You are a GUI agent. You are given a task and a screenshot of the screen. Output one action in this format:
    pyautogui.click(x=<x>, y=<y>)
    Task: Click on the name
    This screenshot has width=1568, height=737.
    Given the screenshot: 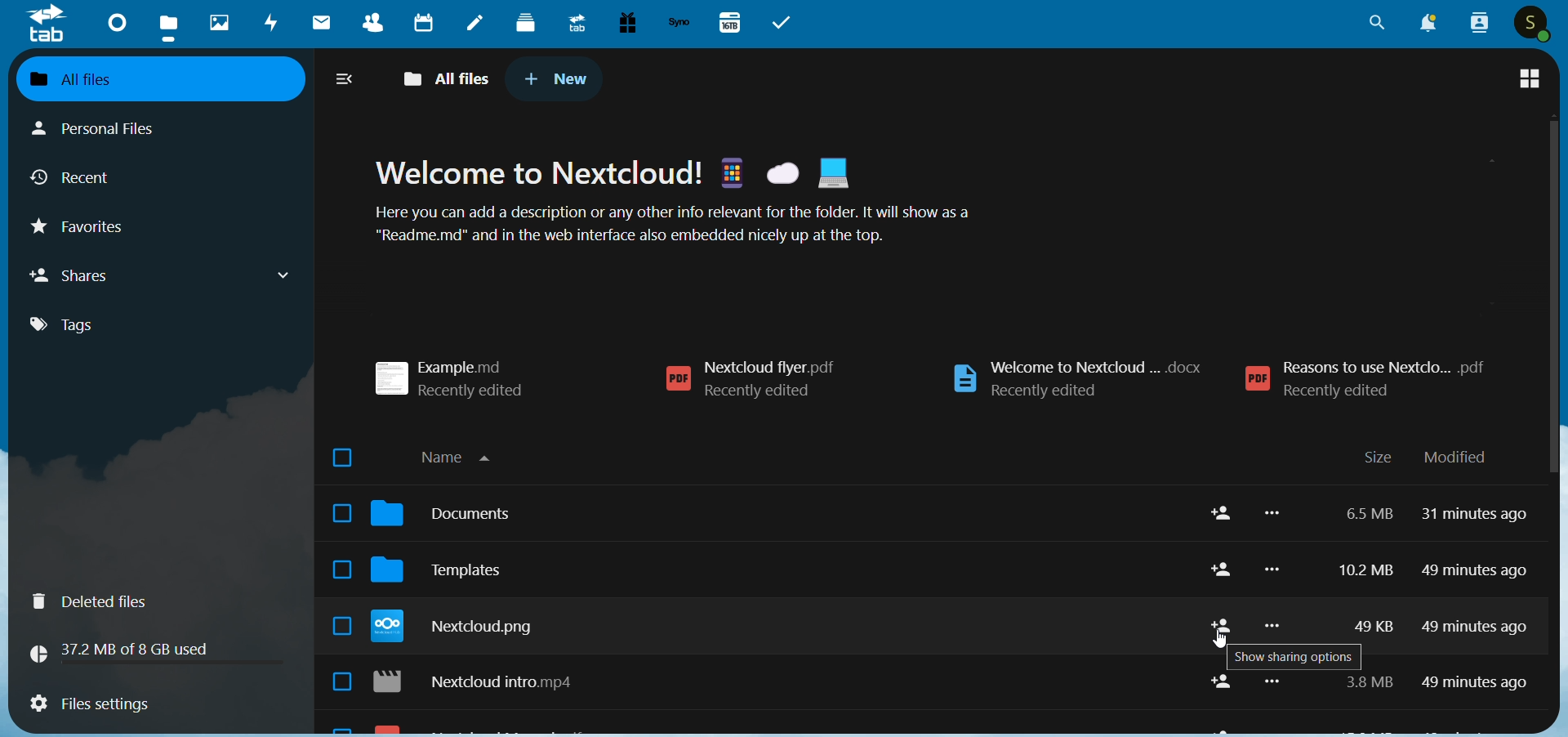 What is the action you would take?
    pyautogui.click(x=464, y=454)
    